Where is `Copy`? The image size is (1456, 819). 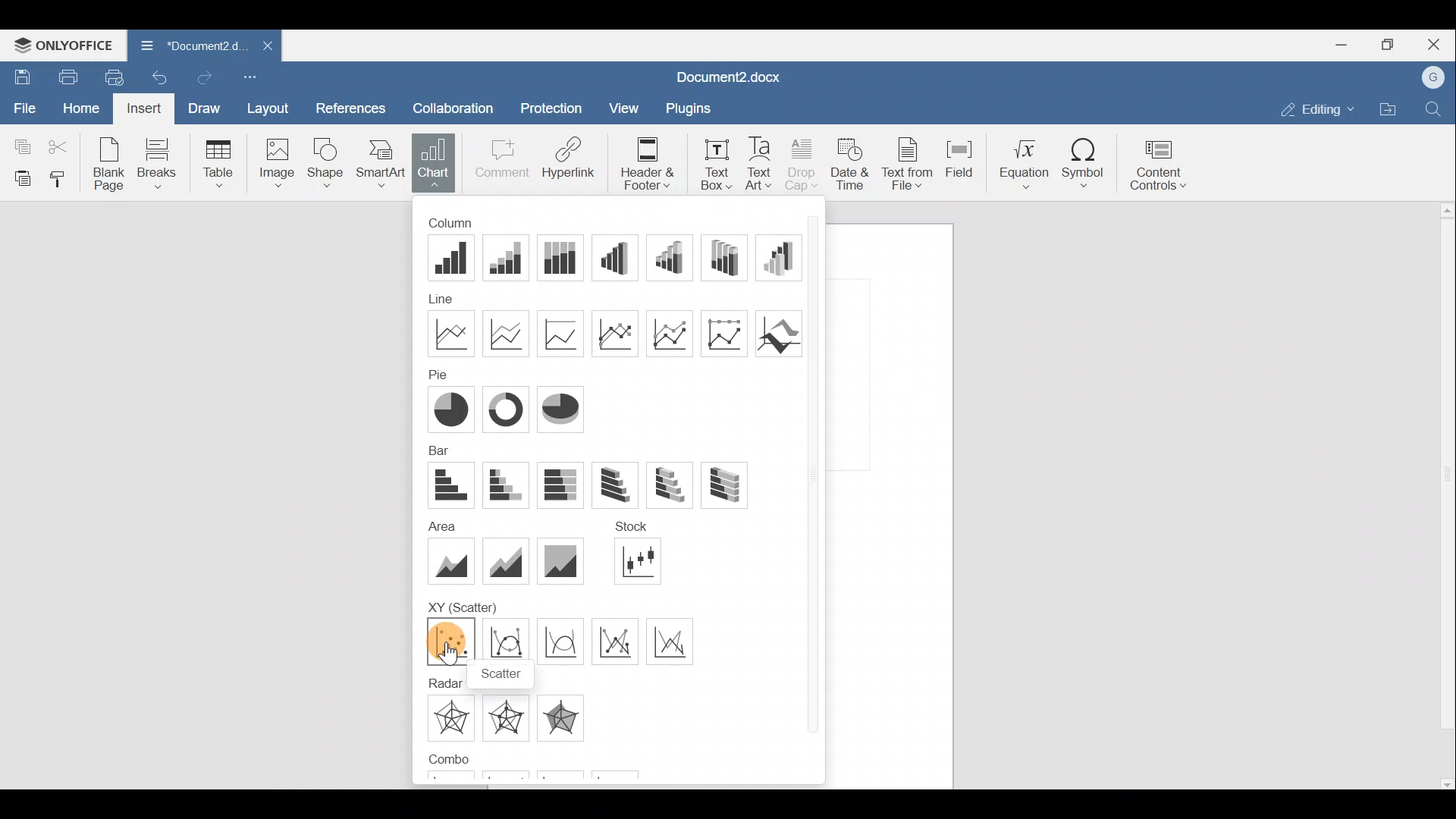
Copy is located at coordinates (19, 145).